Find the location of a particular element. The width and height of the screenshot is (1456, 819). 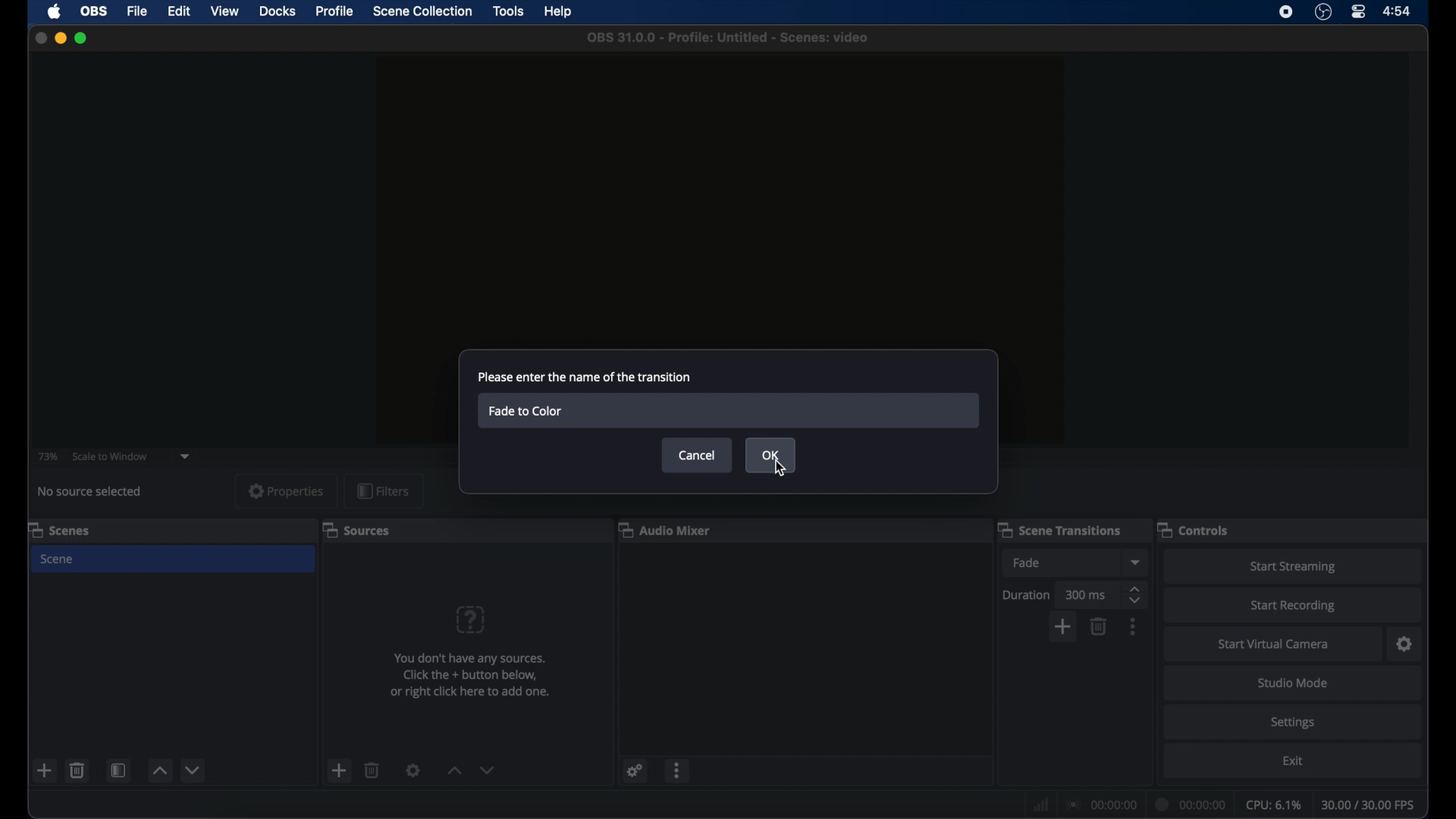

info is located at coordinates (470, 675).